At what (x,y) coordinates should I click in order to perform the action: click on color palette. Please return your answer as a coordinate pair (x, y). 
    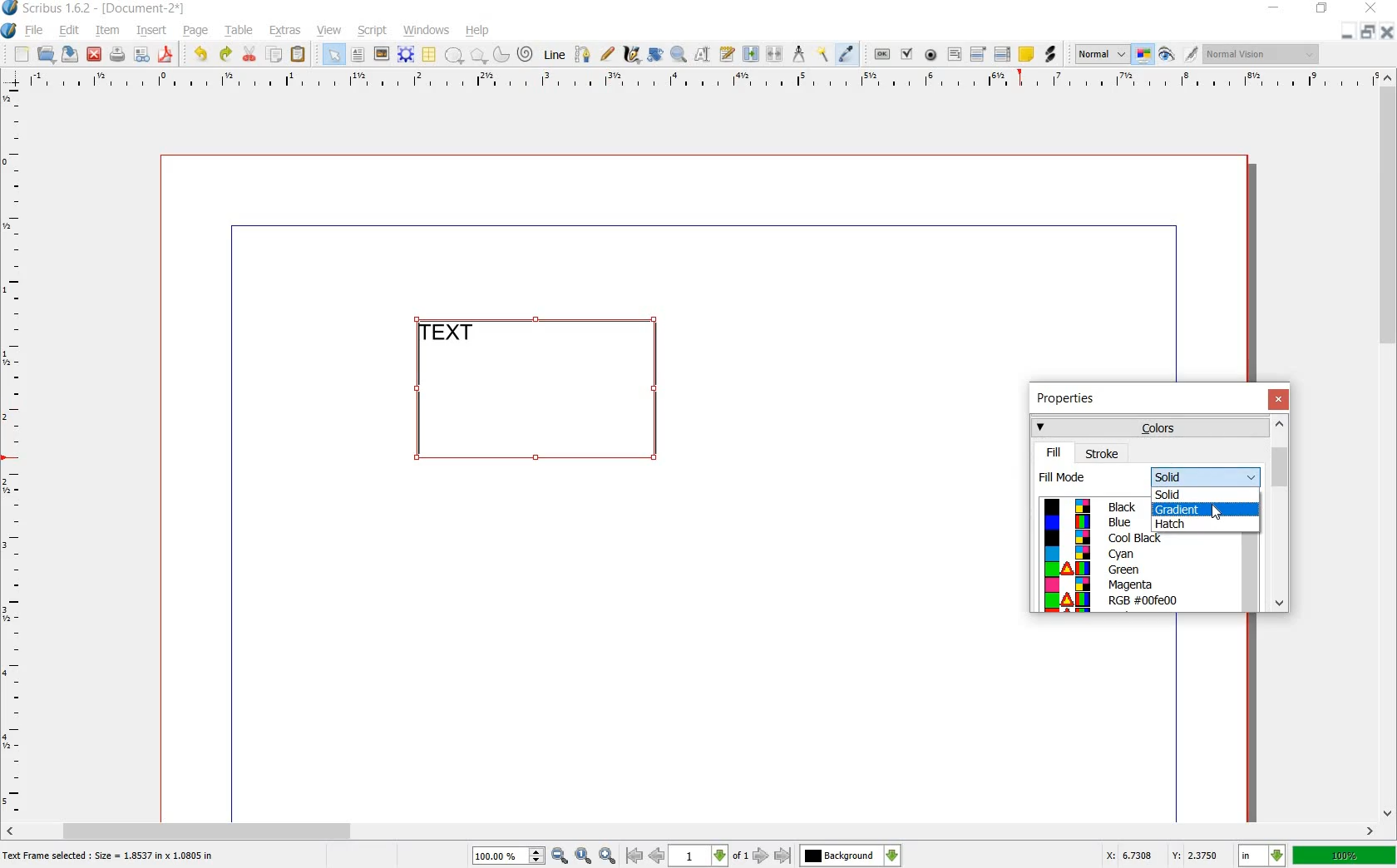
    Looking at the image, I should click on (1067, 555).